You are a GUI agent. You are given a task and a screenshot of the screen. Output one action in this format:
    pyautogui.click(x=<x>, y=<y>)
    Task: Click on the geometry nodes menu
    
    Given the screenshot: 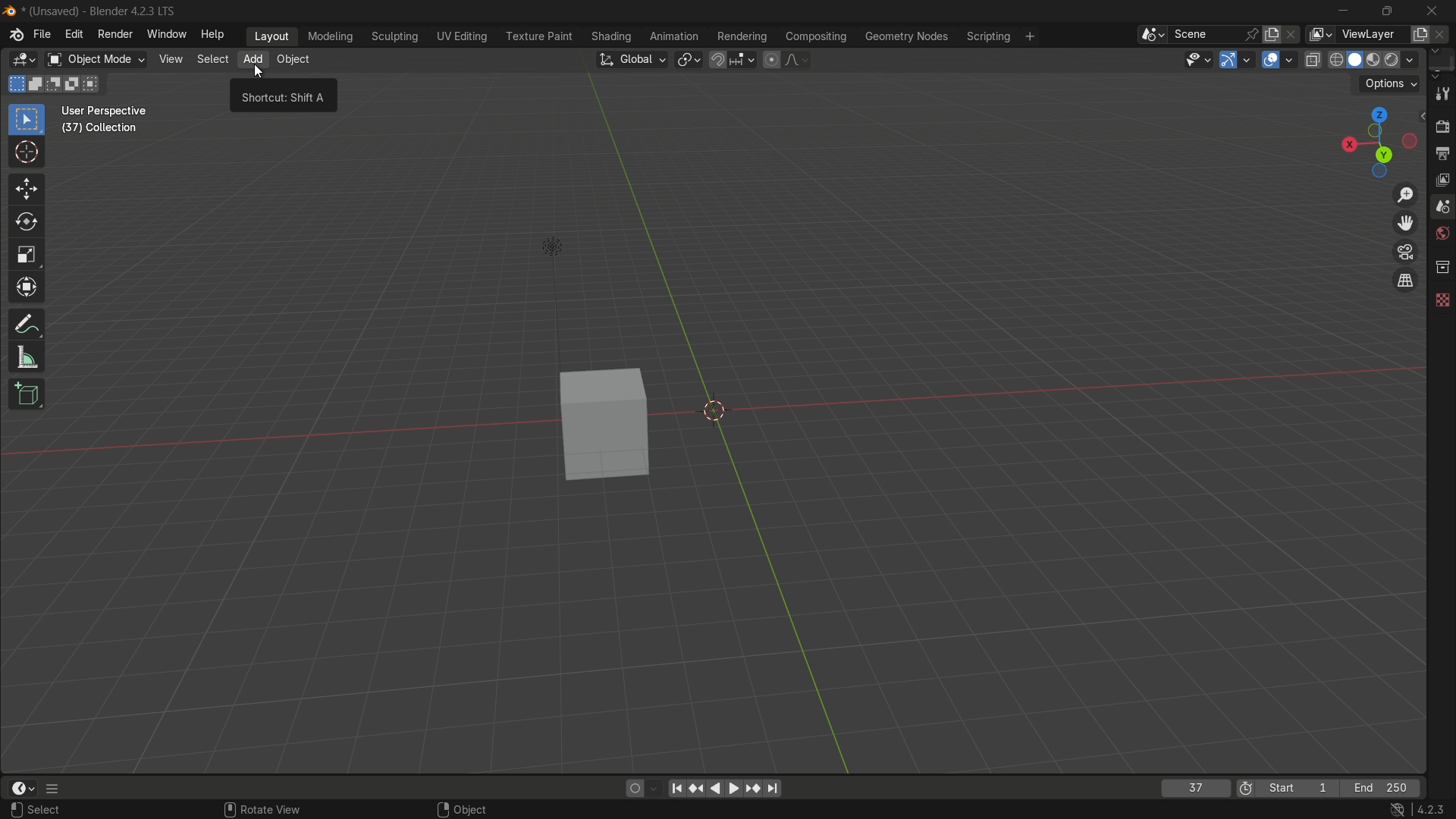 What is the action you would take?
    pyautogui.click(x=905, y=36)
    